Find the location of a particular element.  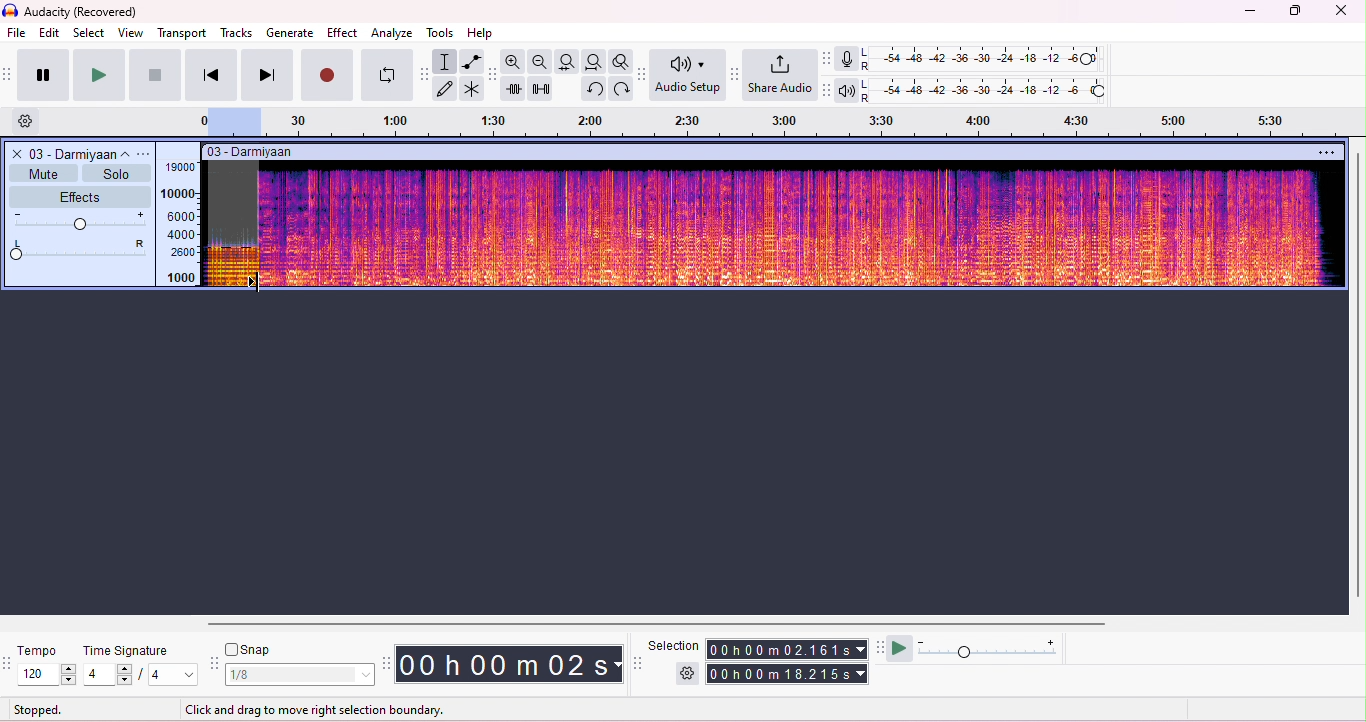

minimize is located at coordinates (1250, 14).